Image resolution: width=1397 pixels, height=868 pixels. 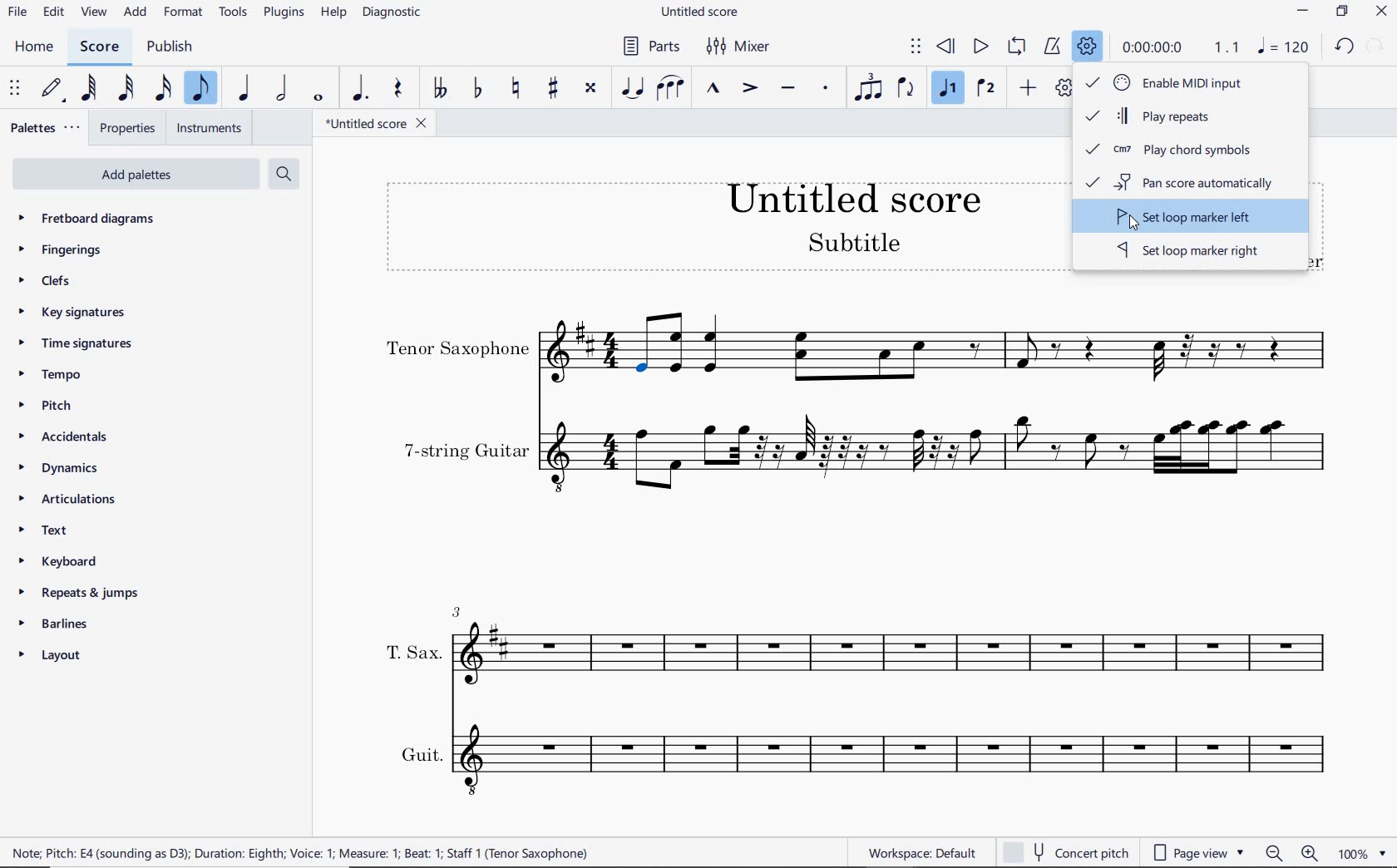 What do you see at coordinates (702, 223) in the screenshot?
I see `TITLE` at bounding box center [702, 223].